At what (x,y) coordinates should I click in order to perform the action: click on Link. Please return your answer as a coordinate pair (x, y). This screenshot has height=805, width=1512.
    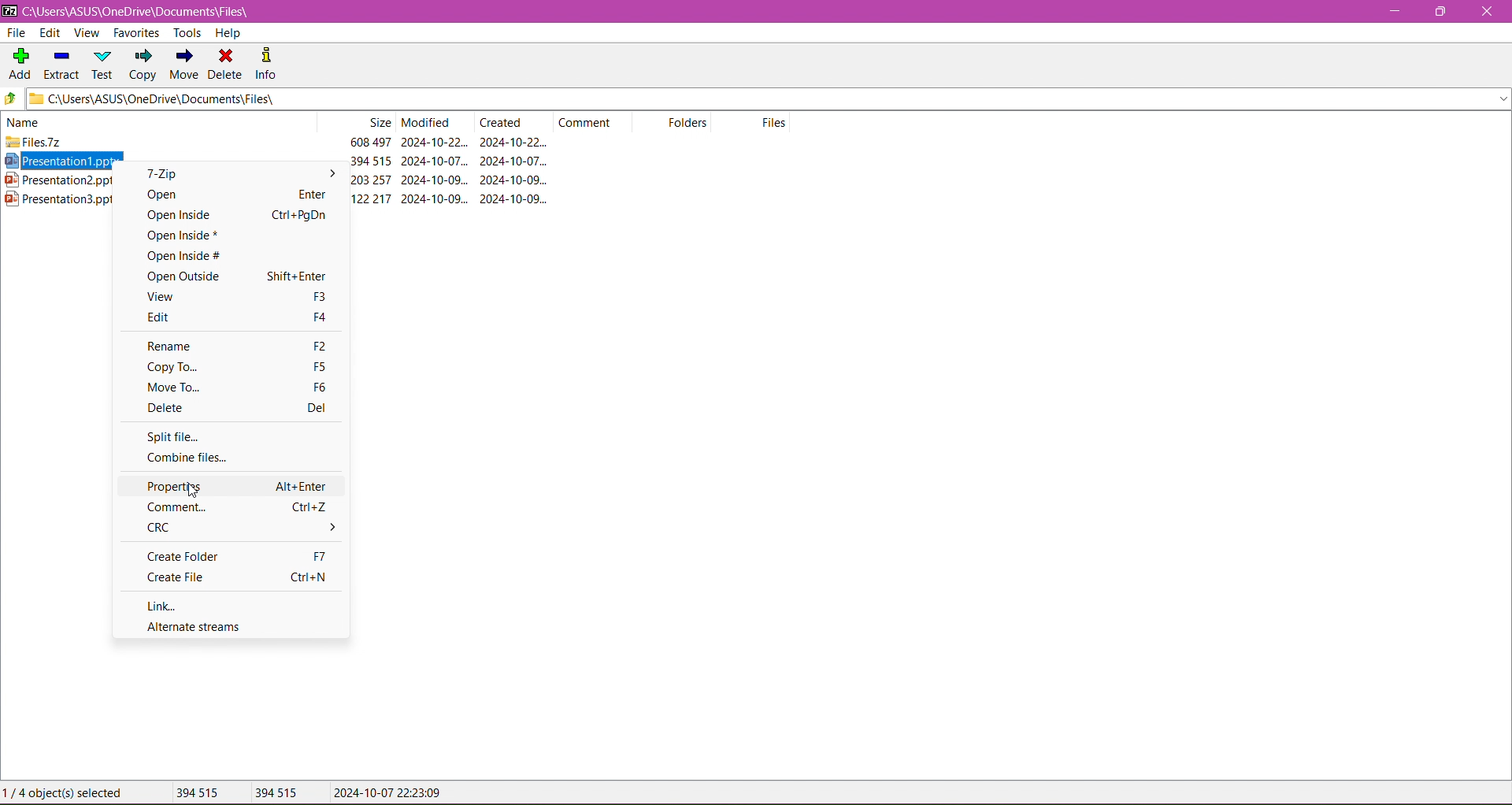
    Looking at the image, I should click on (170, 607).